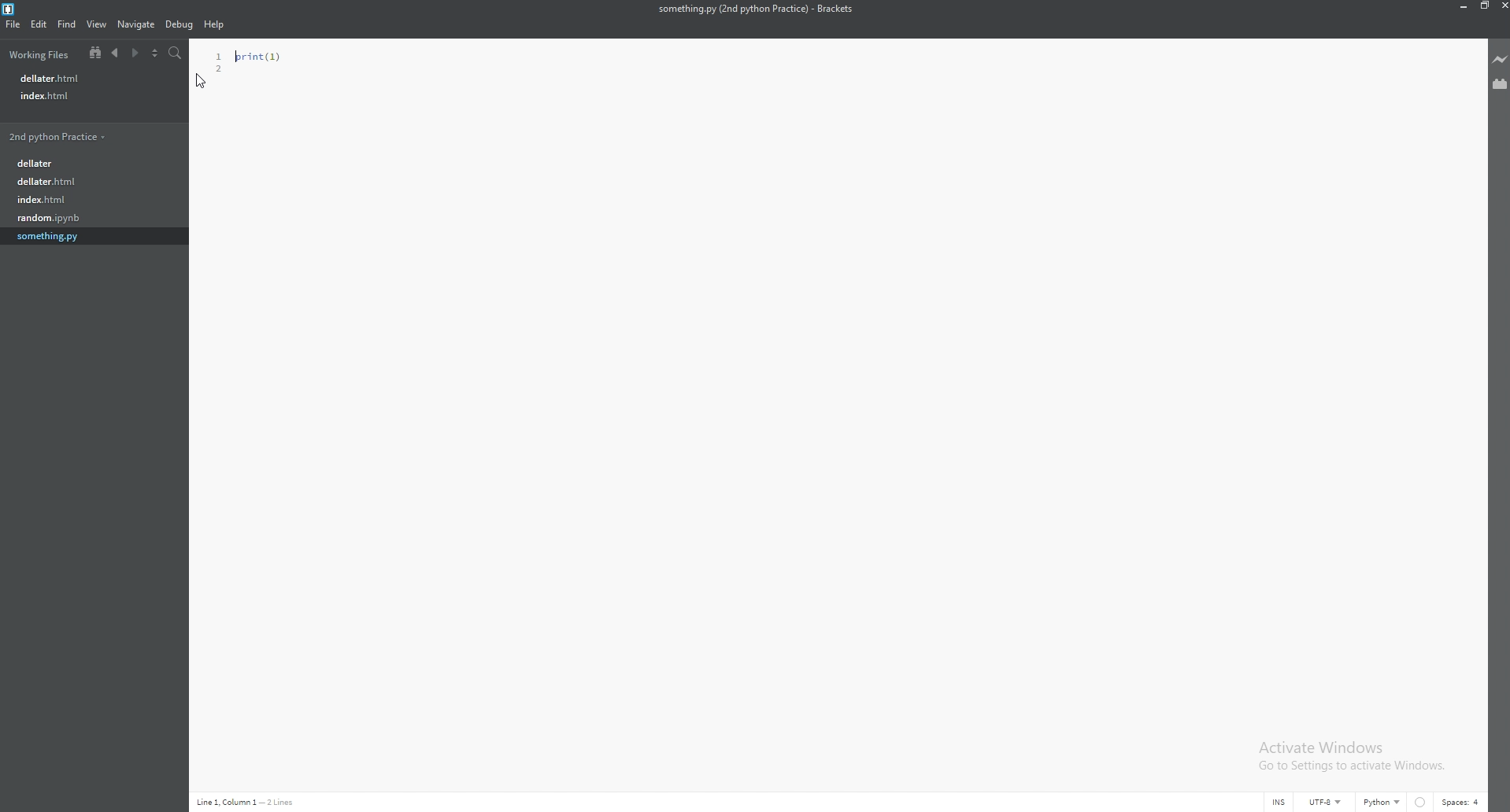  I want to click on file, so click(80, 220).